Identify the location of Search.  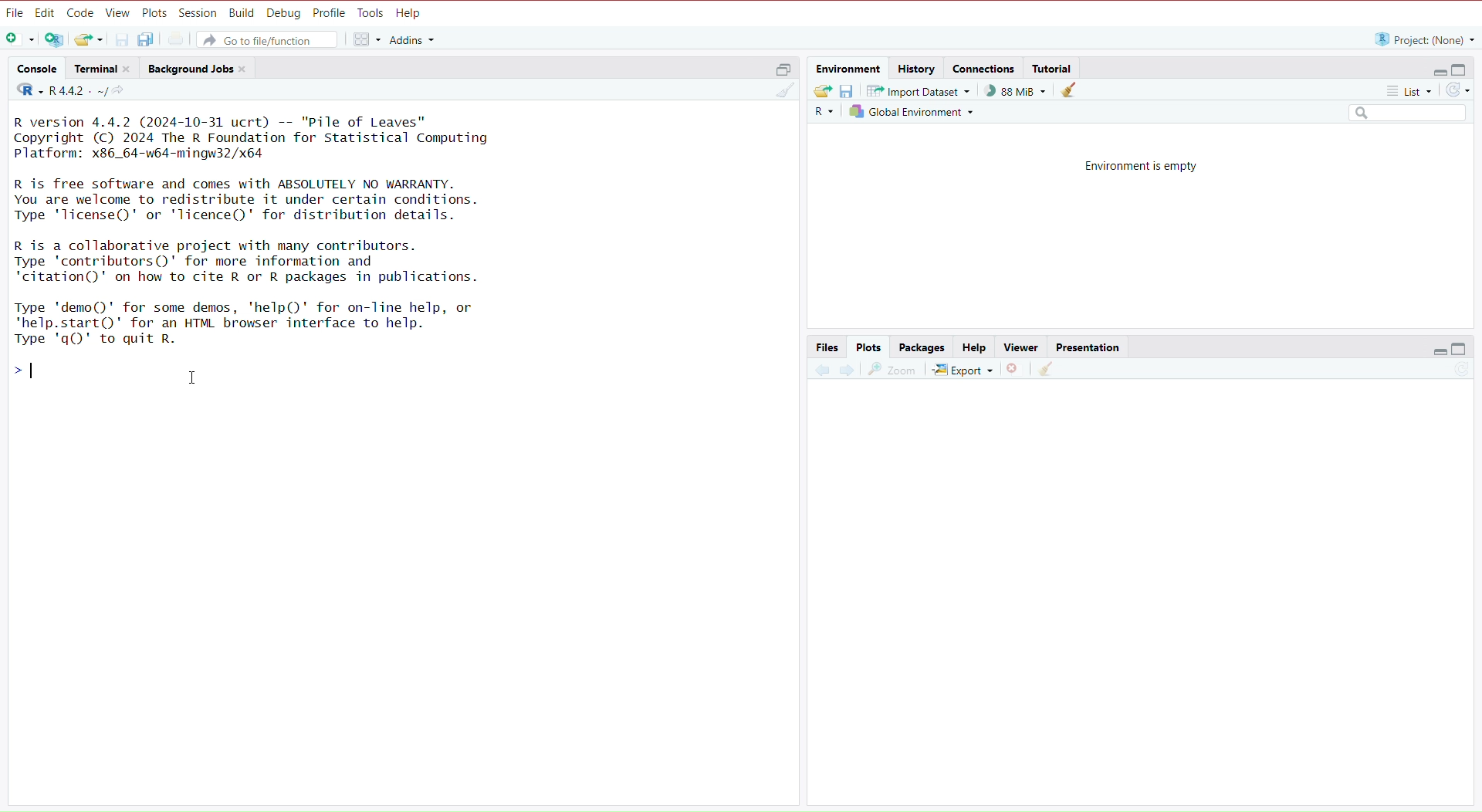
(1405, 112).